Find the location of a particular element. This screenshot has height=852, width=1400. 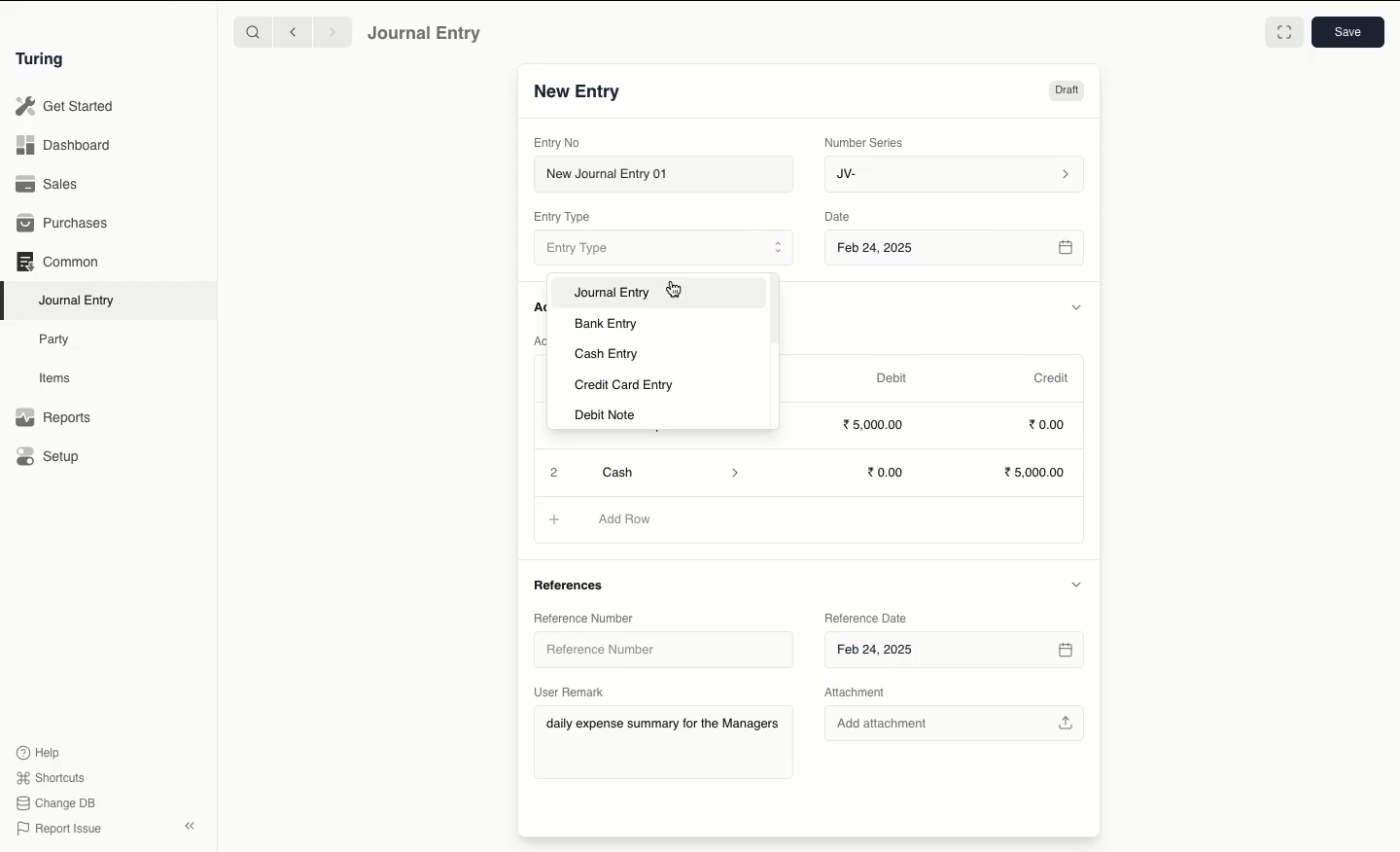

5,000.00 is located at coordinates (1039, 473).